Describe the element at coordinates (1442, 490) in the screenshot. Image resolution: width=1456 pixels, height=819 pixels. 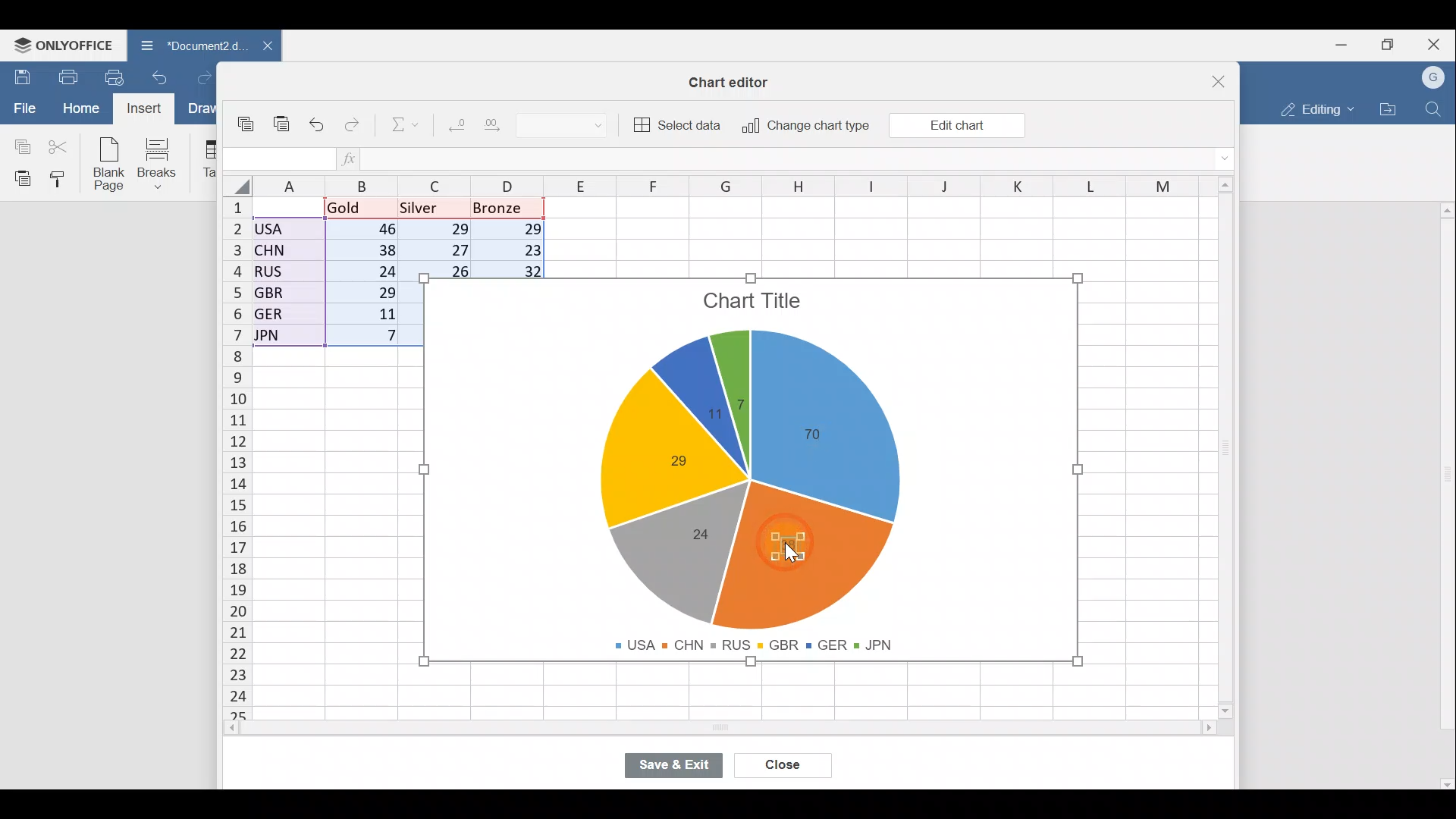
I see `Scroll bar` at that location.